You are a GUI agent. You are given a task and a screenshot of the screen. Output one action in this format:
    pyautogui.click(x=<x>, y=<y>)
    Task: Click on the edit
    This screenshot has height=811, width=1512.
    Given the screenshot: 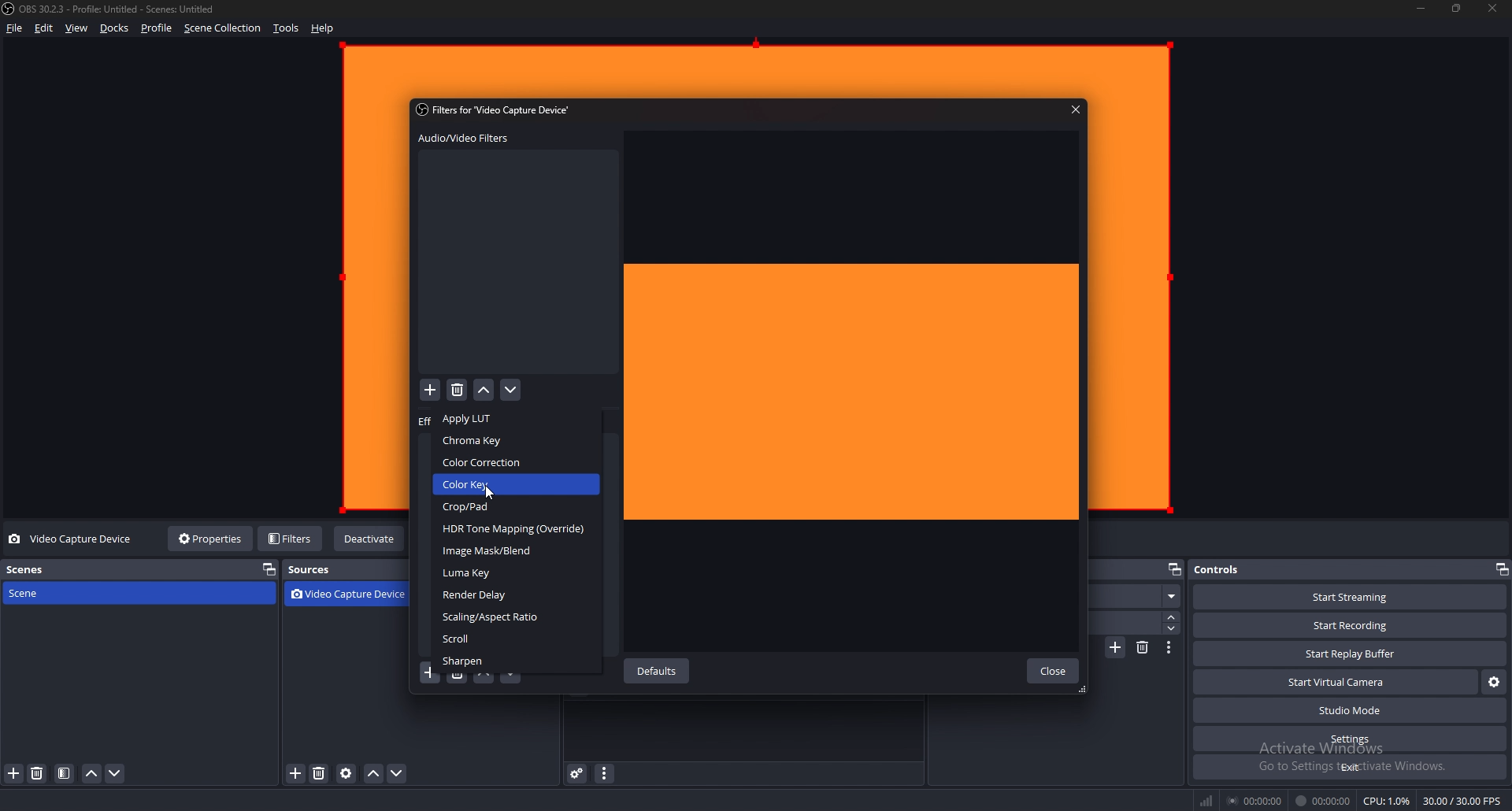 What is the action you would take?
    pyautogui.click(x=44, y=28)
    